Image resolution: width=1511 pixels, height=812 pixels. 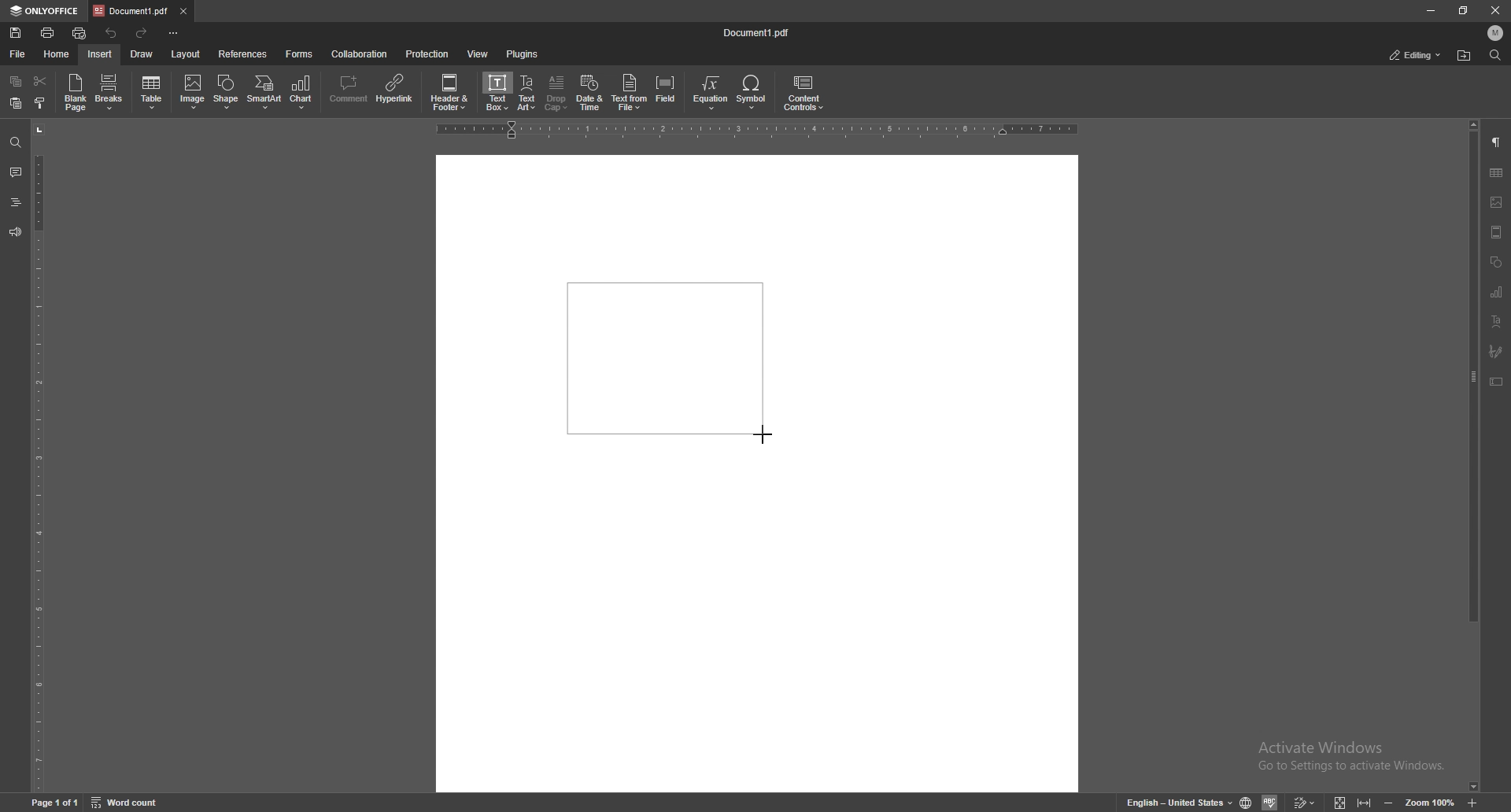 What do you see at coordinates (47, 33) in the screenshot?
I see `print` at bounding box center [47, 33].